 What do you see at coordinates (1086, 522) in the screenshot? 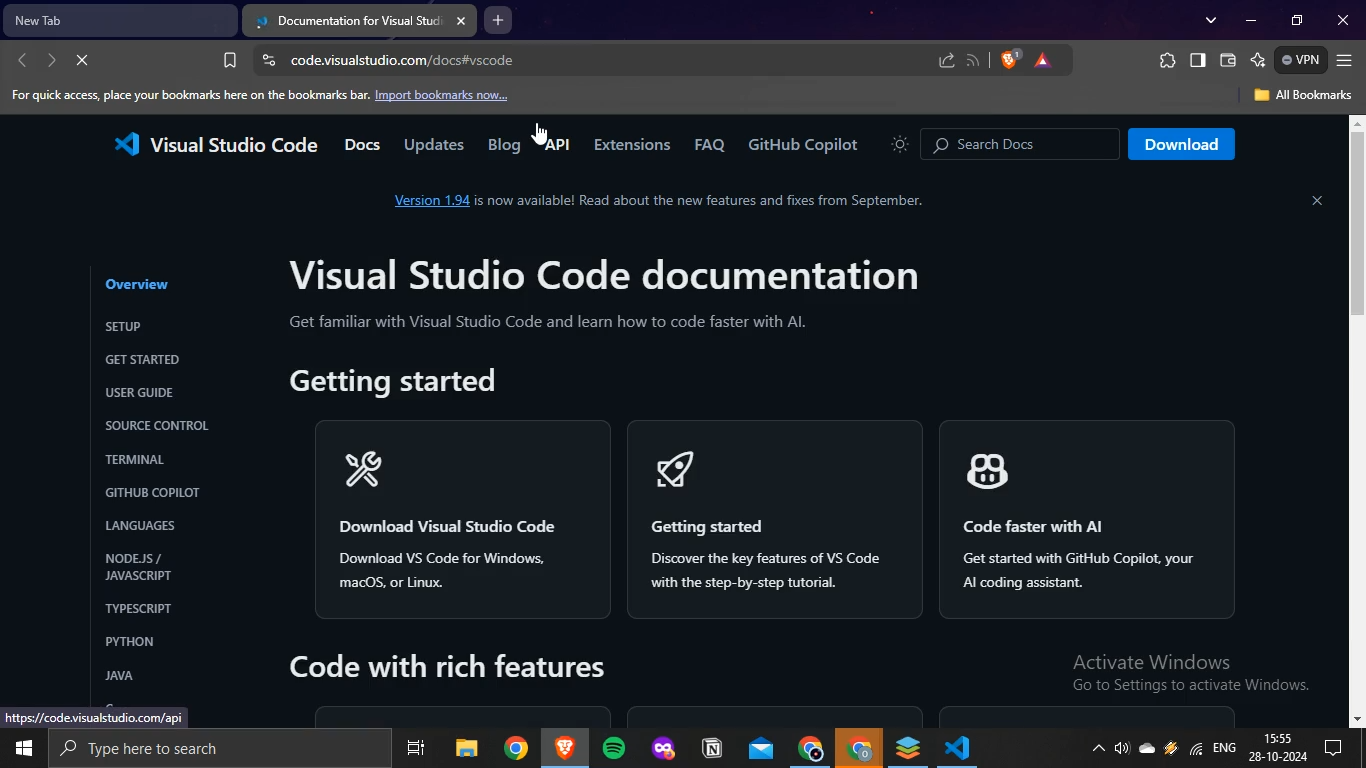
I see `Code faster with Al
Get started with GitHub Copilot. your
Al coding assistant.` at bounding box center [1086, 522].